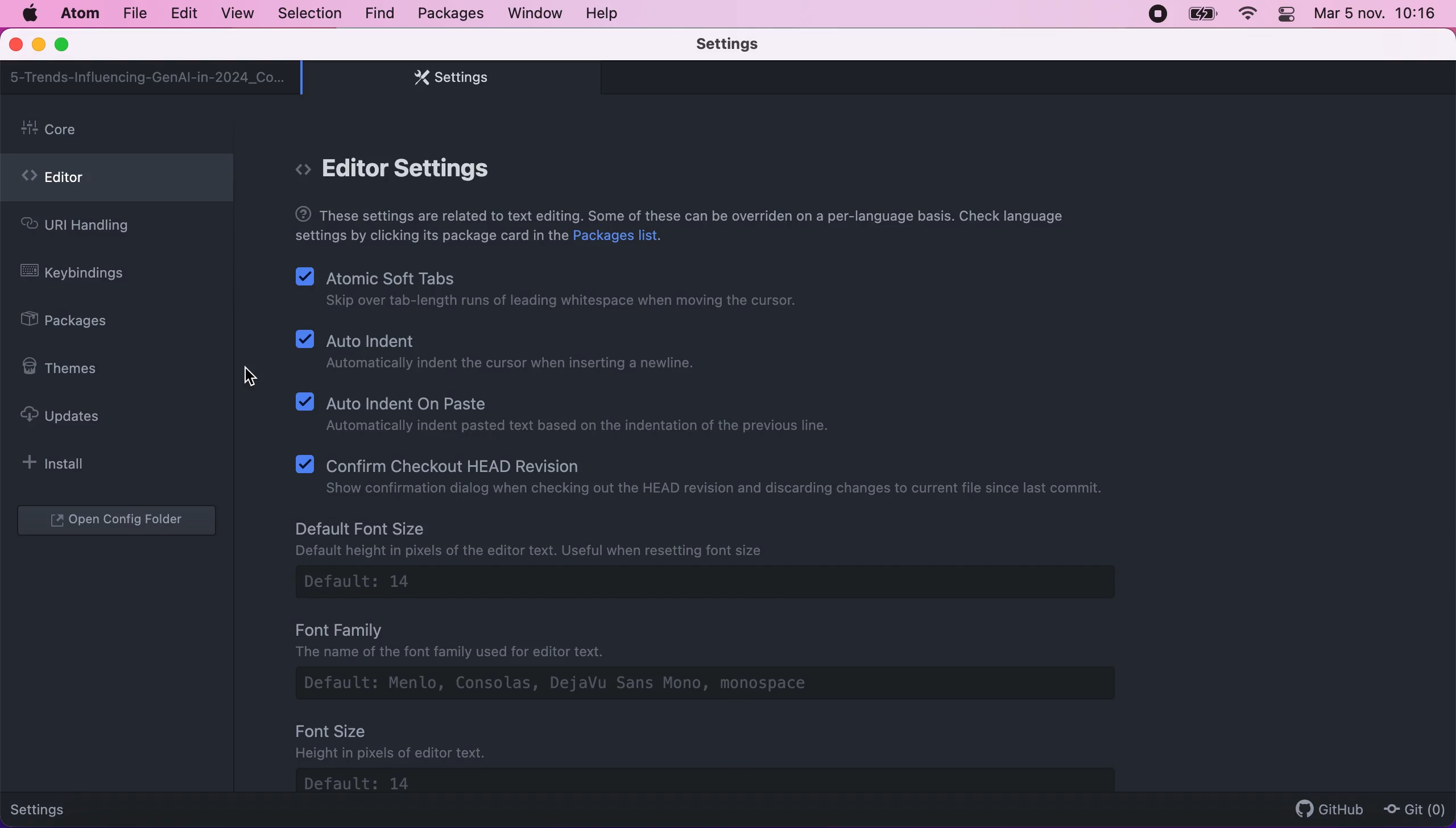 The height and width of the screenshot is (828, 1456). I want to click on maximize, so click(67, 45).